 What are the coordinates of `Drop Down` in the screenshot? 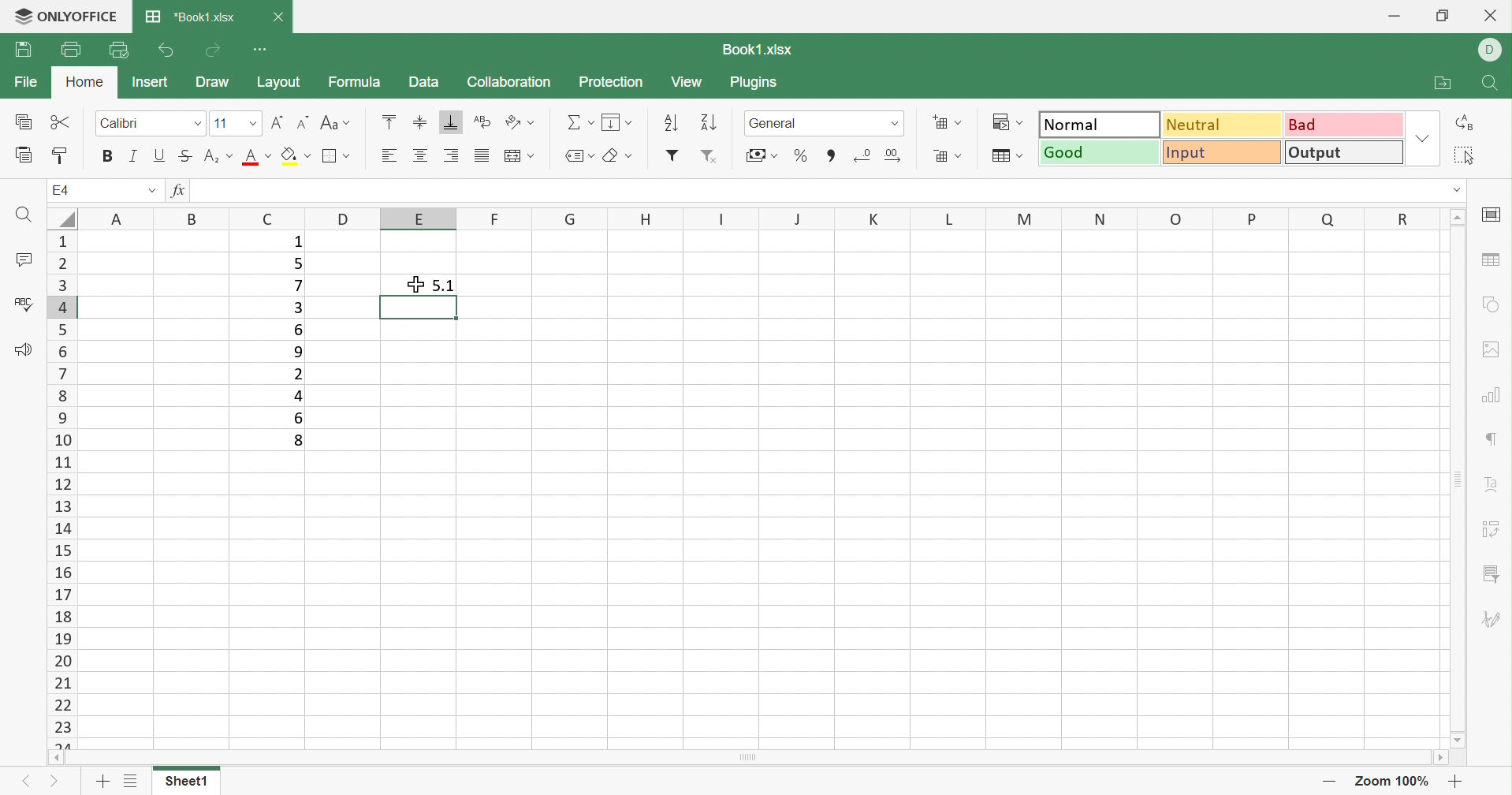 It's located at (895, 123).